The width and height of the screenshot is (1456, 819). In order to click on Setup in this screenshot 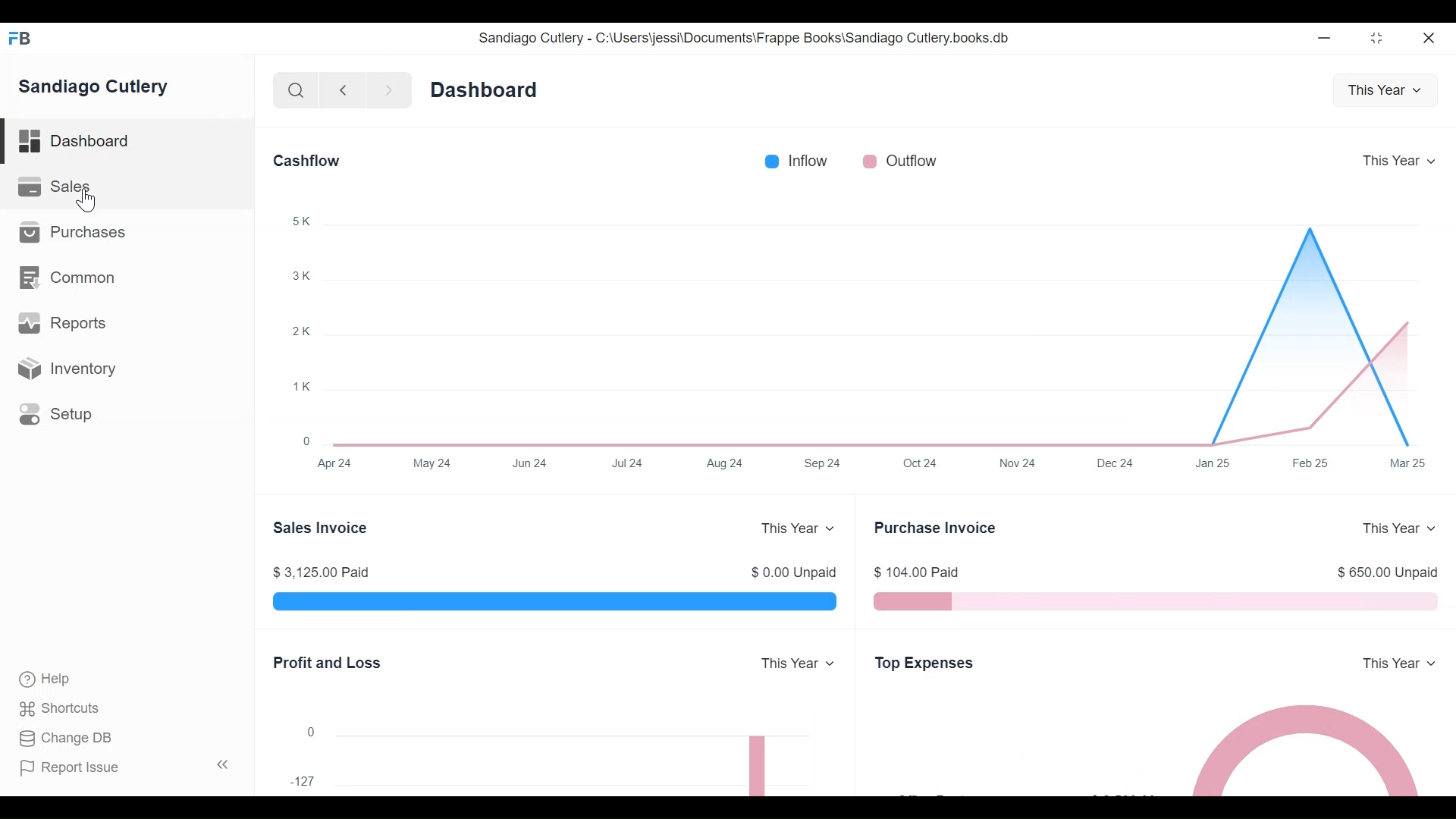, I will do `click(55, 414)`.